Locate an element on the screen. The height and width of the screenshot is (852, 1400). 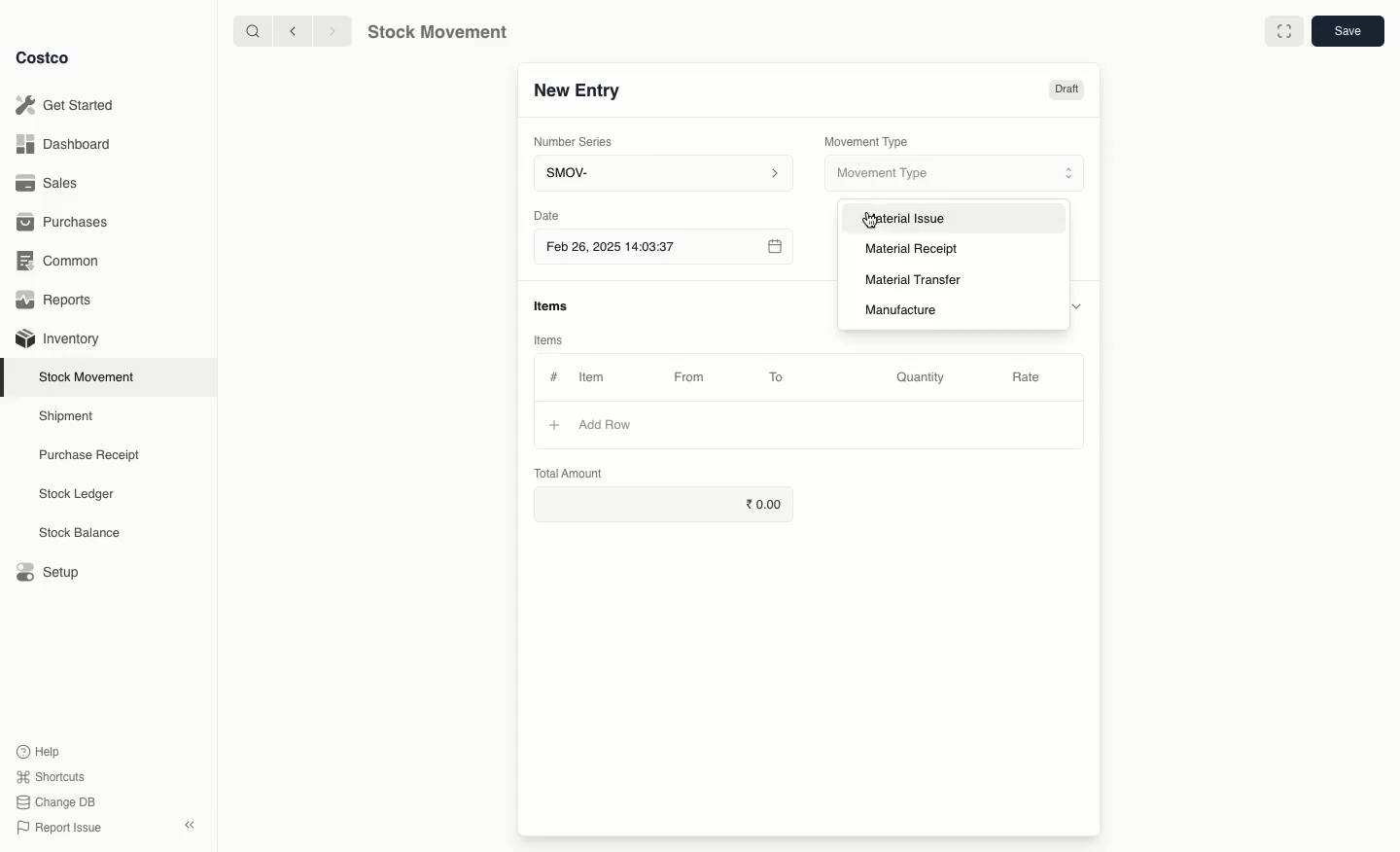
Dashboard is located at coordinates (65, 146).